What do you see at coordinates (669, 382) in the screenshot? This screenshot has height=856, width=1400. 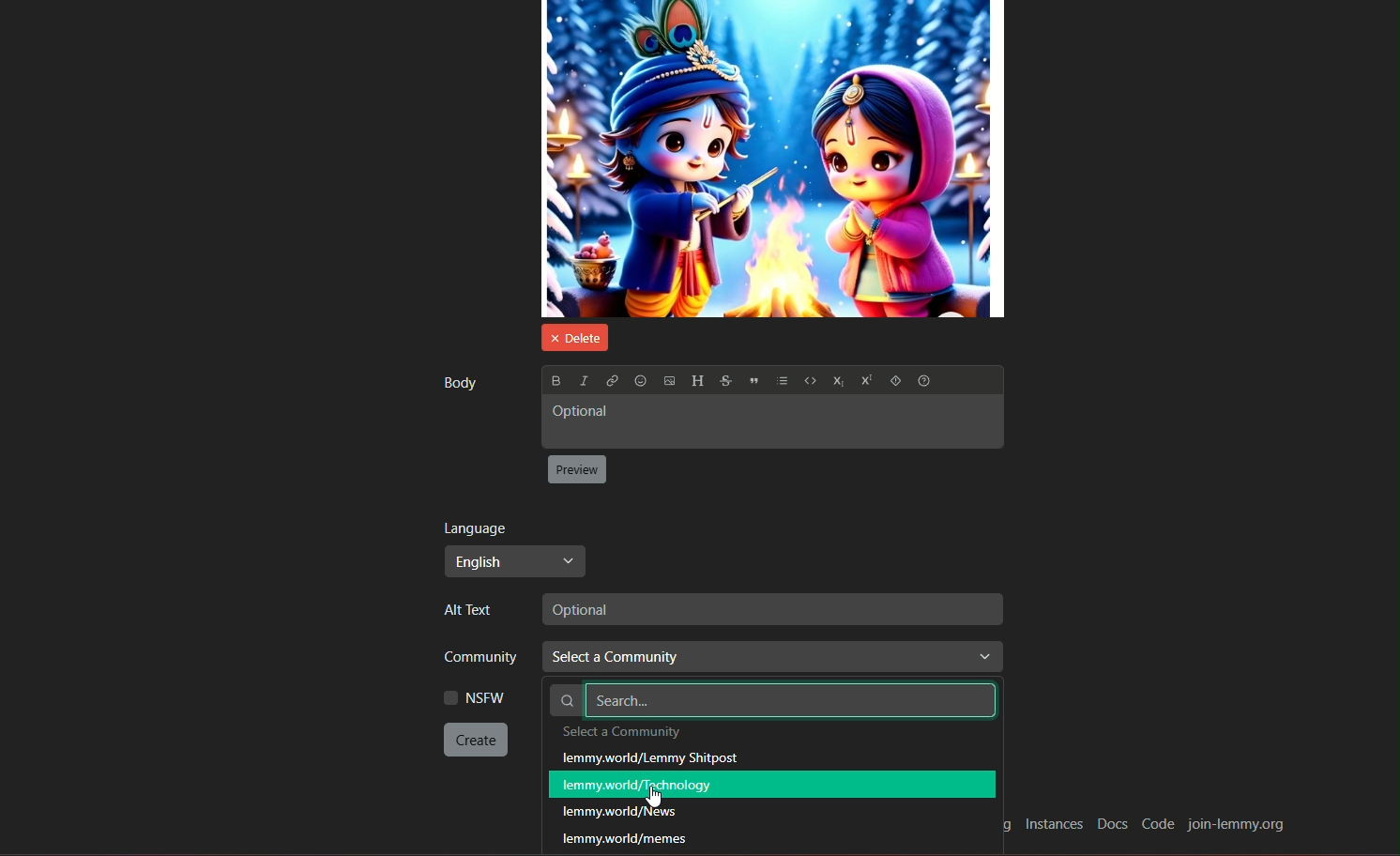 I see `upload image` at bounding box center [669, 382].